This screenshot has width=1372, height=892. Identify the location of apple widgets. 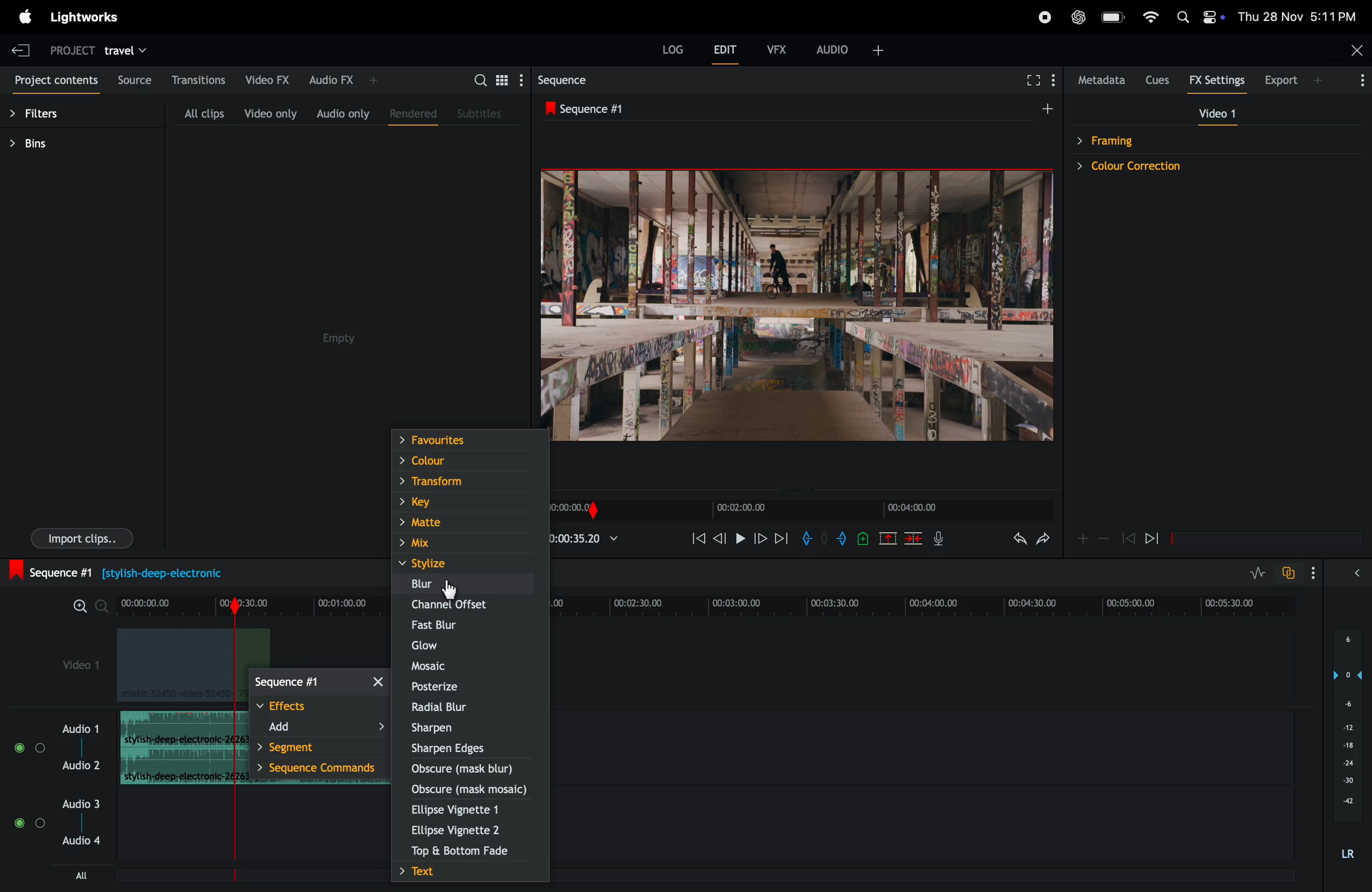
(1180, 16).